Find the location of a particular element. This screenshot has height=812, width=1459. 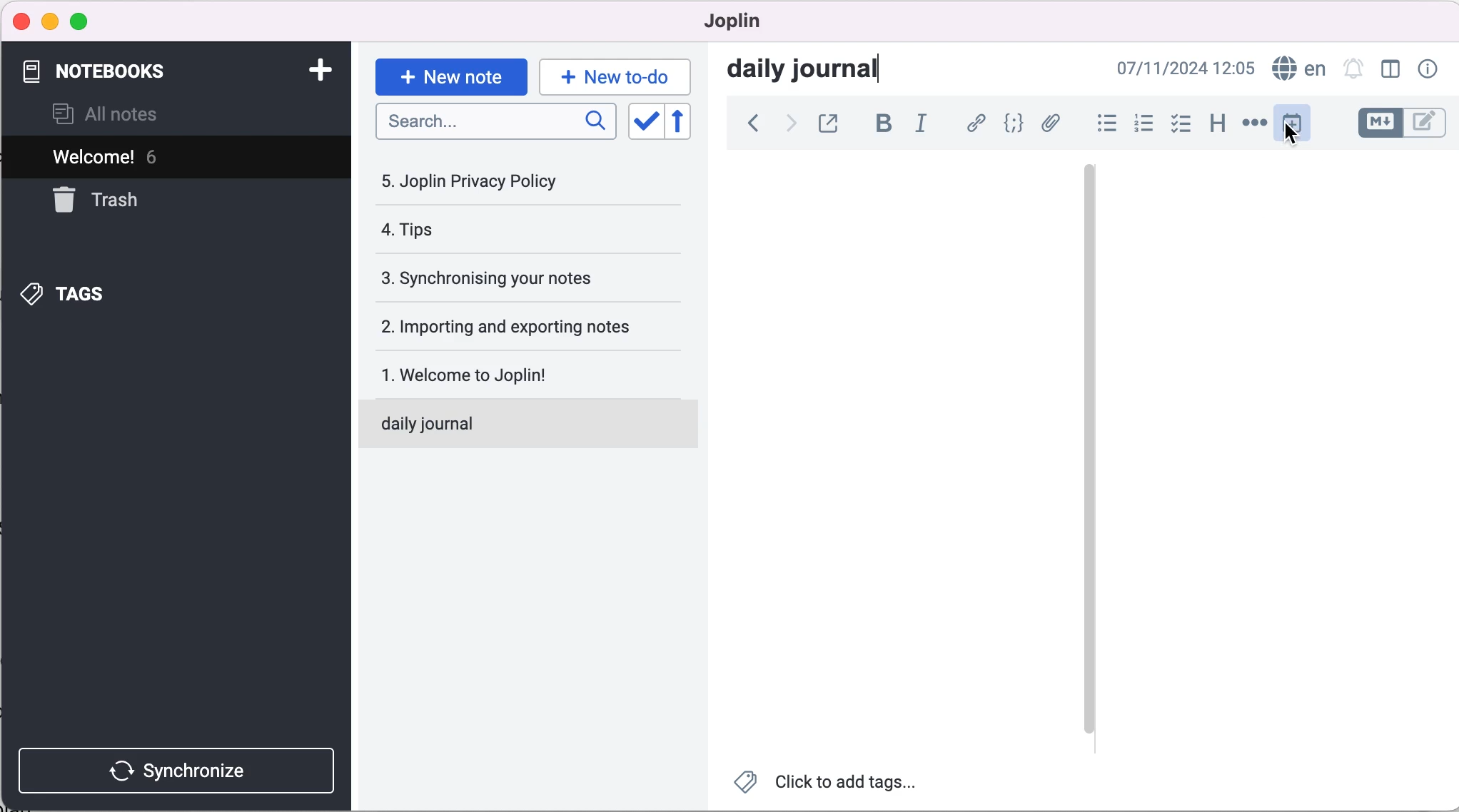

reverse sort order is located at coordinates (684, 123).